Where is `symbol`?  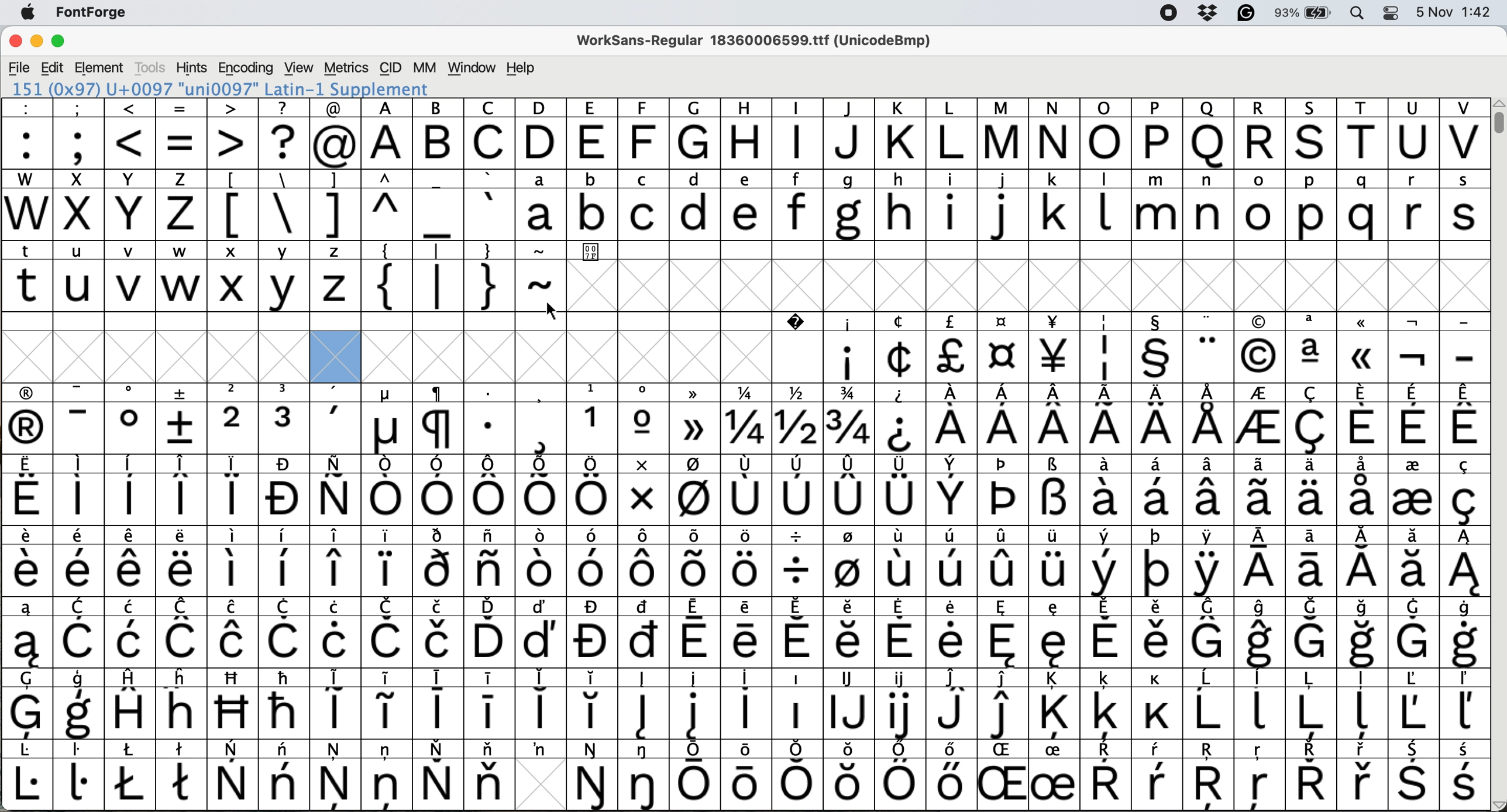 symbol is located at coordinates (183, 632).